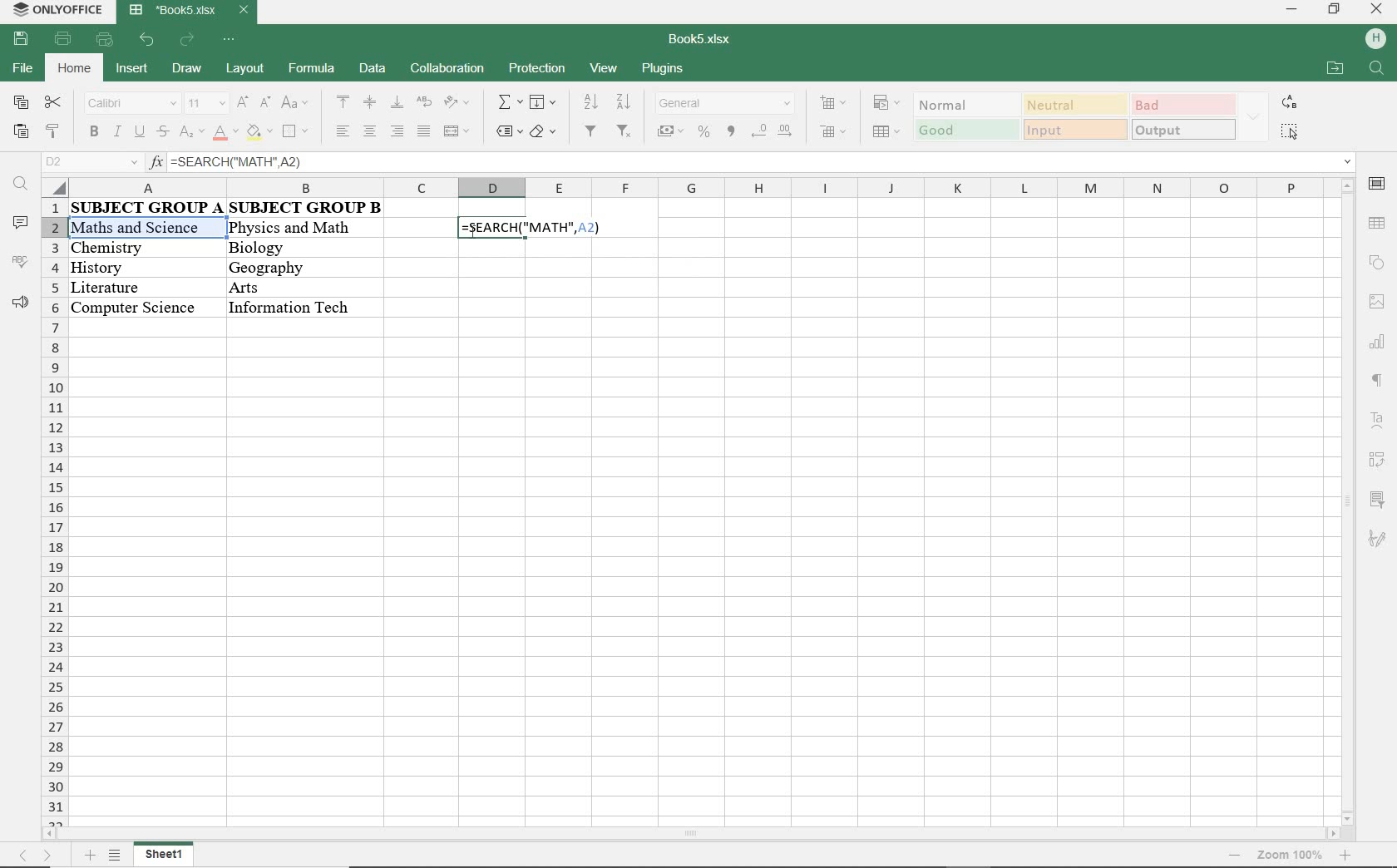 The width and height of the screenshot is (1397, 868). What do you see at coordinates (143, 248) in the screenshot?
I see `chemistry` at bounding box center [143, 248].